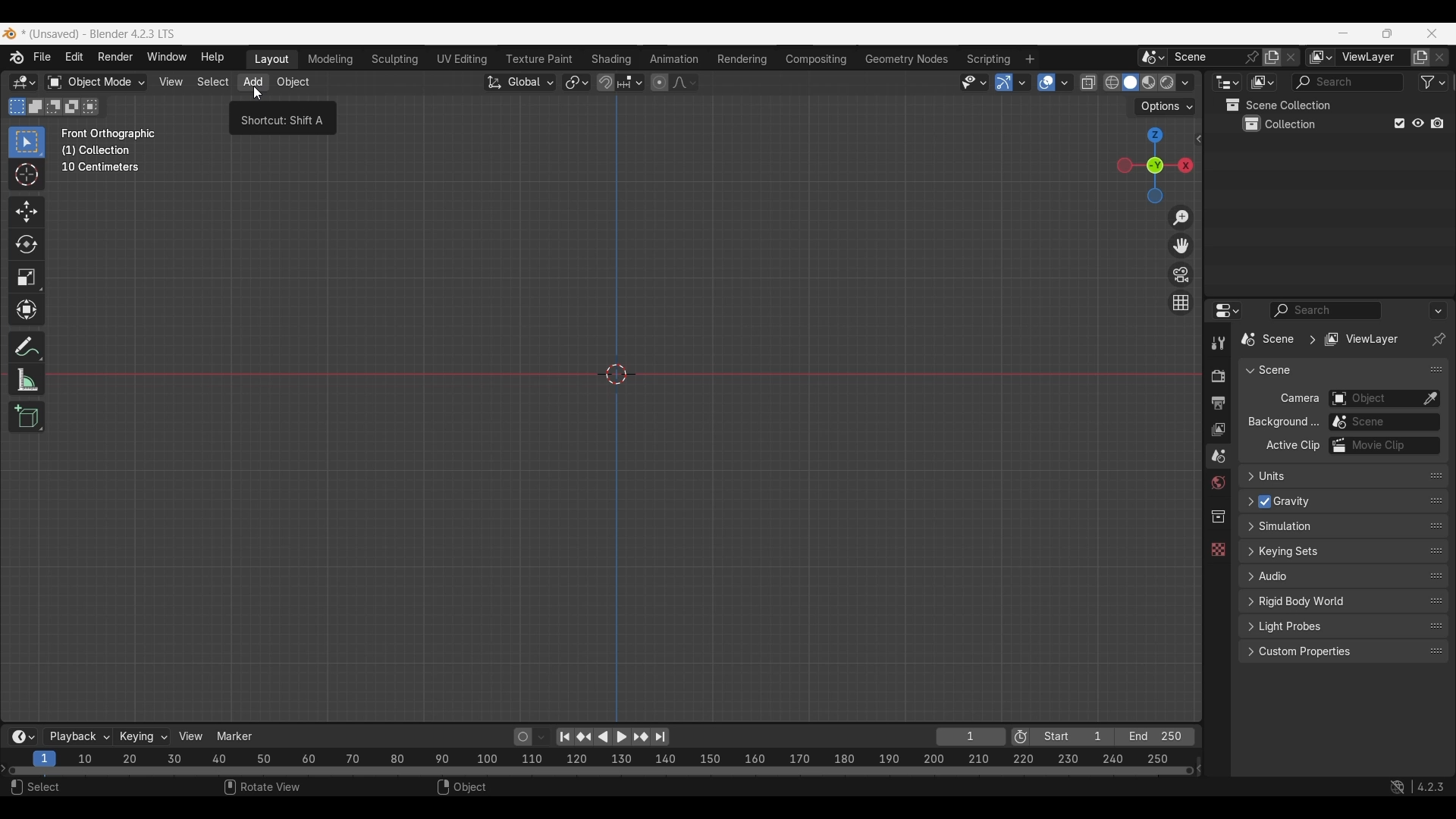 The width and height of the screenshot is (1456, 819). Describe the element at coordinates (1417, 123) in the screenshot. I see `Hide in viewport` at that location.